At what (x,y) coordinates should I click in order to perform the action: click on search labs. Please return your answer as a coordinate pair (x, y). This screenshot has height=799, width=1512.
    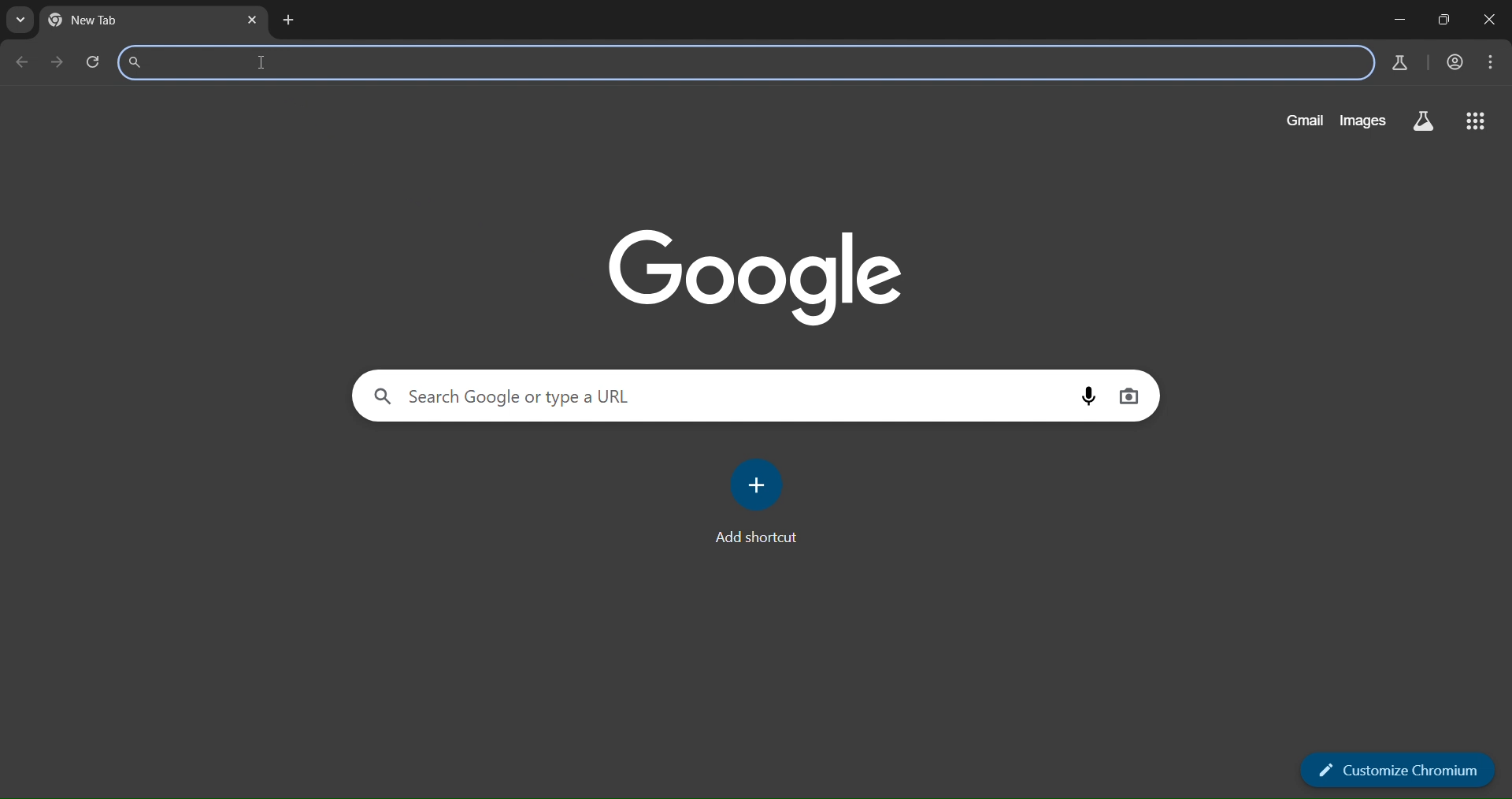
    Looking at the image, I should click on (1424, 122).